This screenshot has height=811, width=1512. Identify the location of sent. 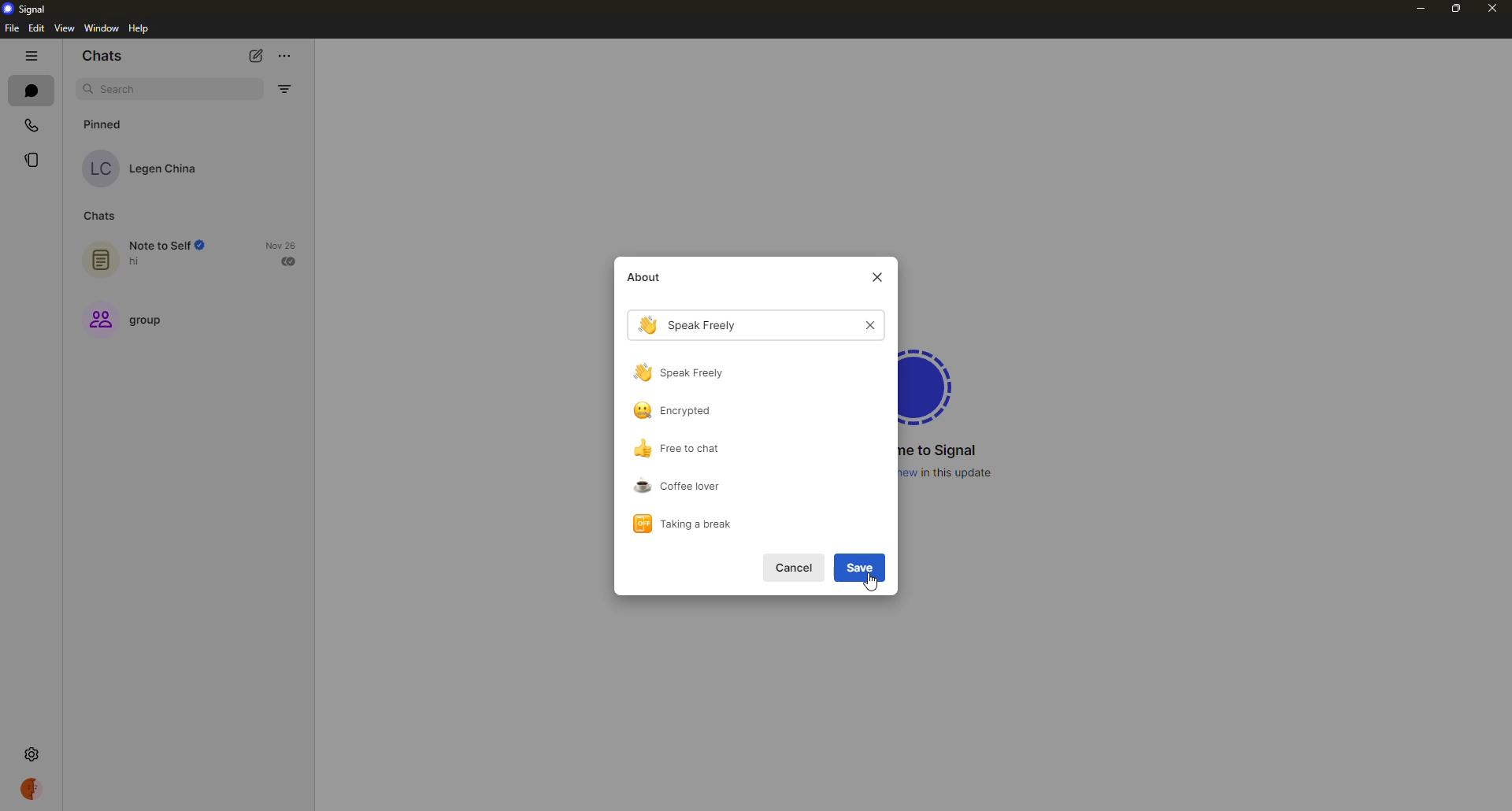
(291, 261).